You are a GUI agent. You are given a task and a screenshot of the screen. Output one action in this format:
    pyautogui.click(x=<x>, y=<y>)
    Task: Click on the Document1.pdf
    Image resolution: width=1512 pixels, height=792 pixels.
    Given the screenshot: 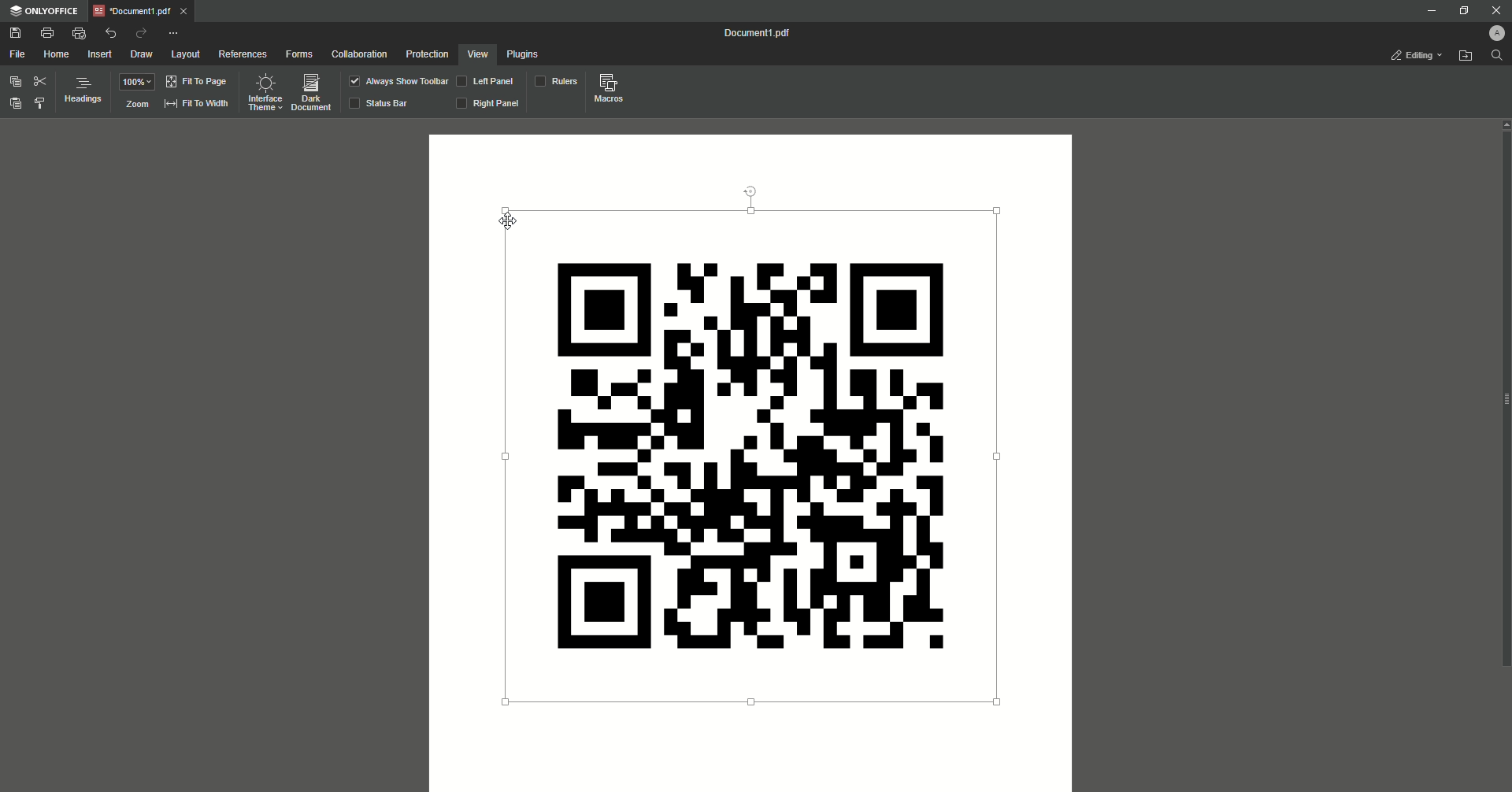 What is the action you would take?
    pyautogui.click(x=750, y=34)
    